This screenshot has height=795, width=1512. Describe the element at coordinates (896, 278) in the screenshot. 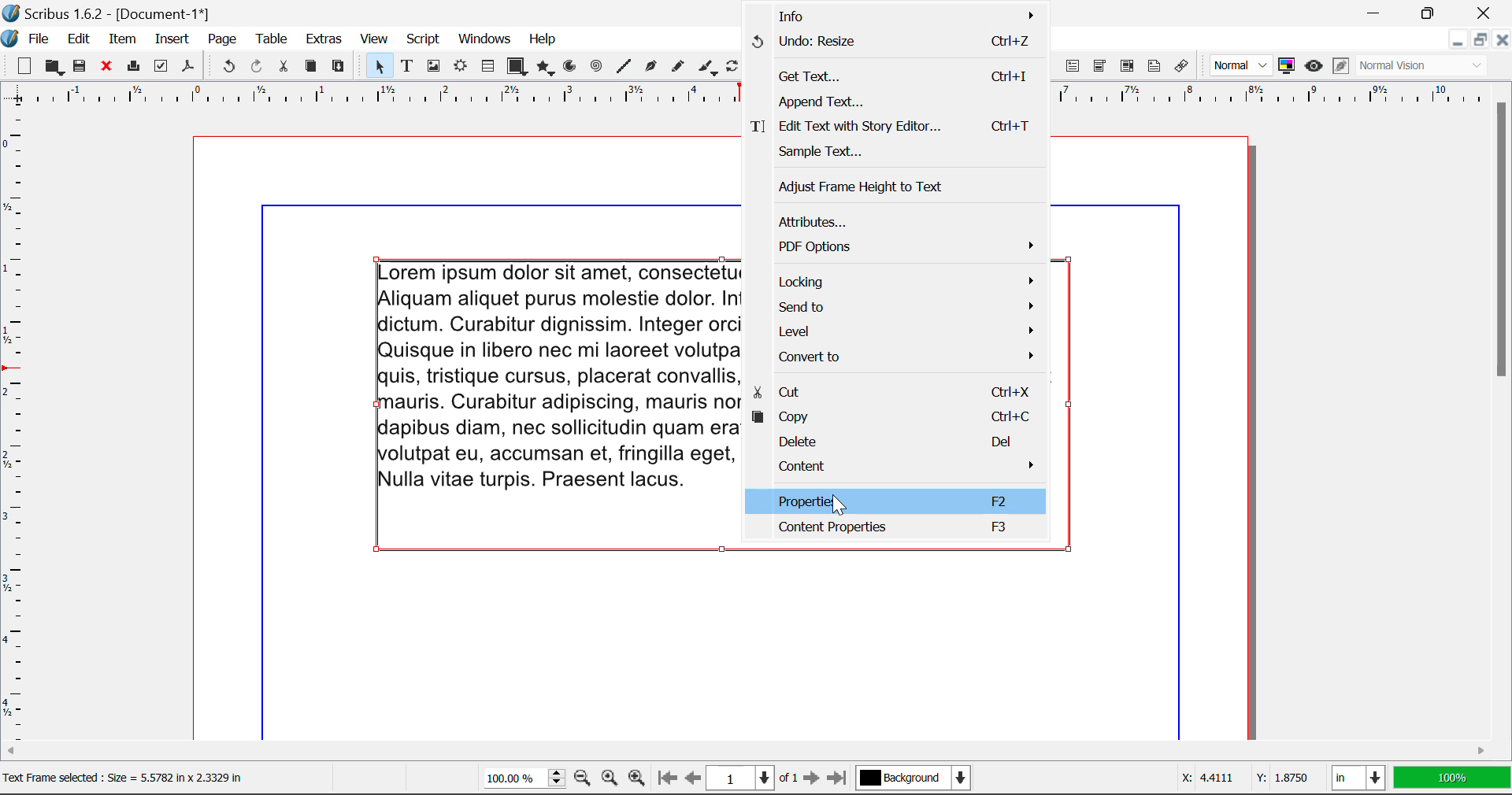

I see `Locking` at that location.